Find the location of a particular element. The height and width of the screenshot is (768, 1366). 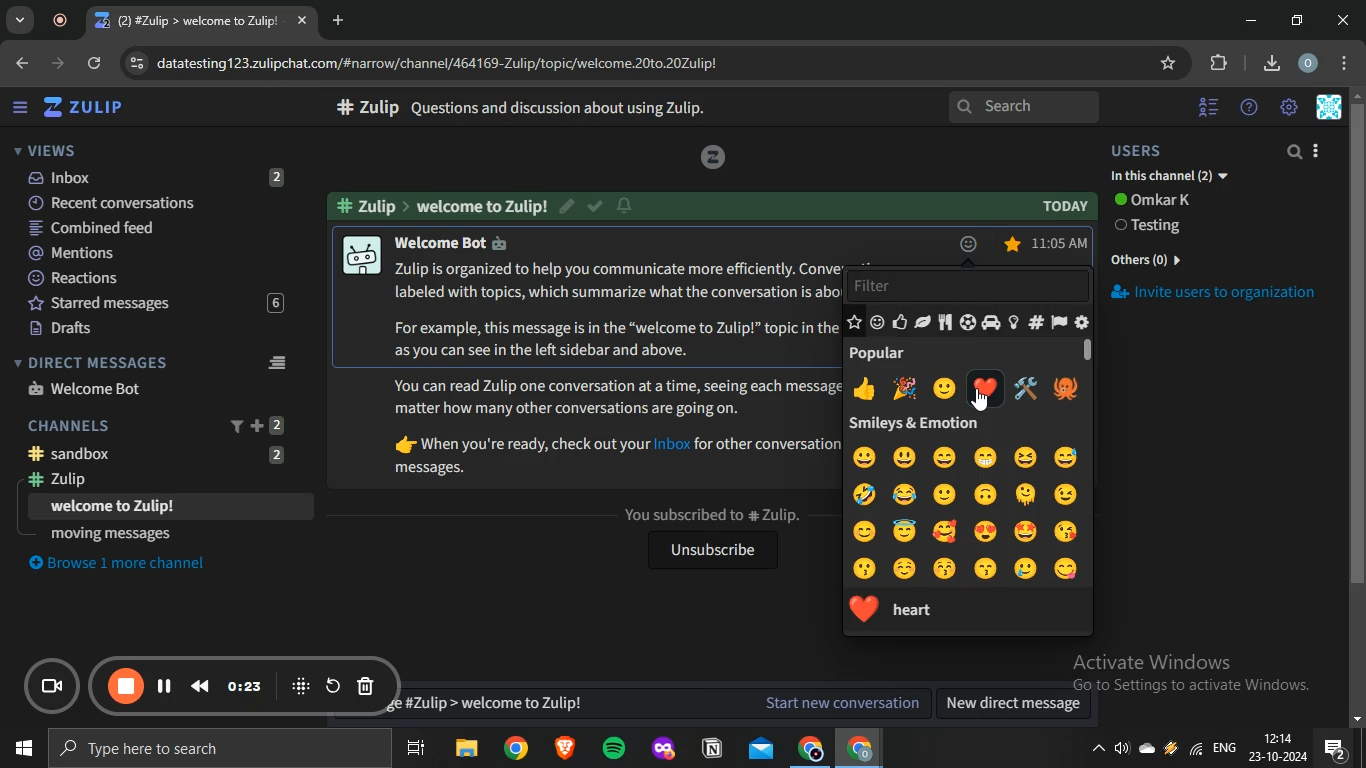

filter is located at coordinates (960, 284).